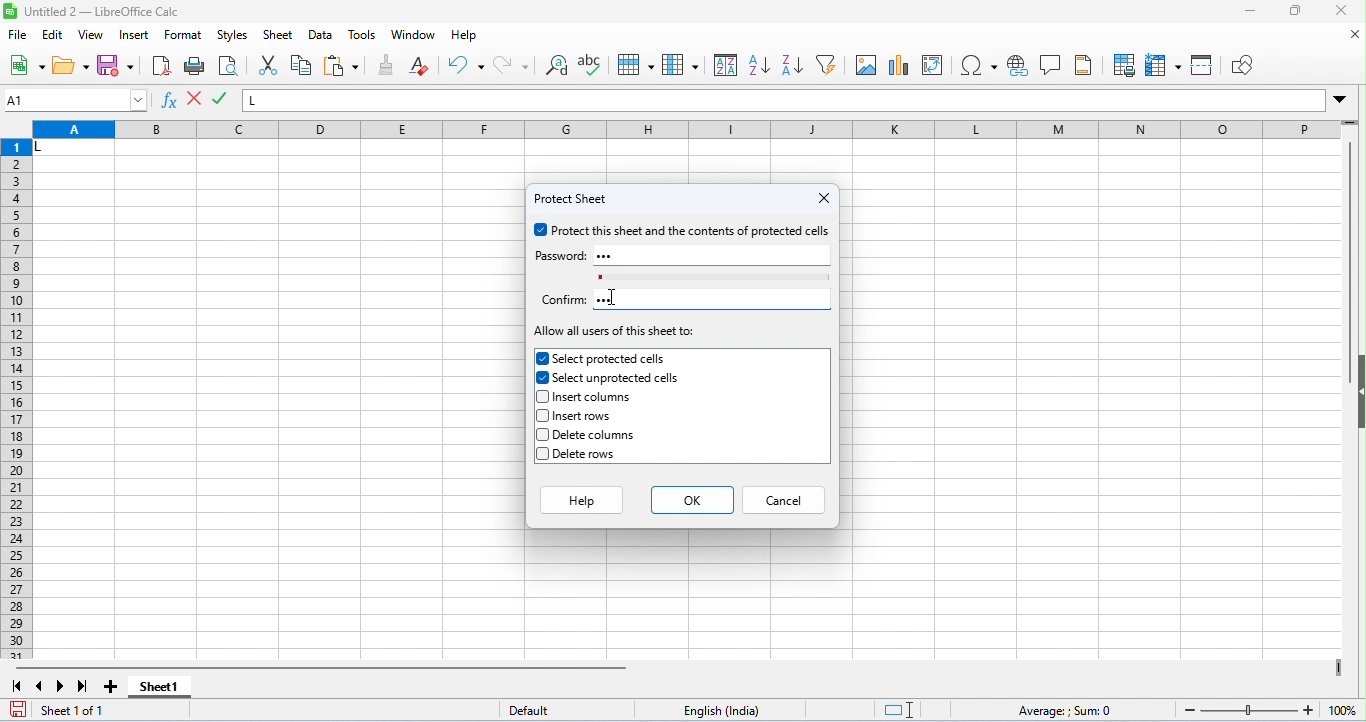 The image size is (1366, 722). What do you see at coordinates (39, 686) in the screenshot?
I see `previous` at bounding box center [39, 686].